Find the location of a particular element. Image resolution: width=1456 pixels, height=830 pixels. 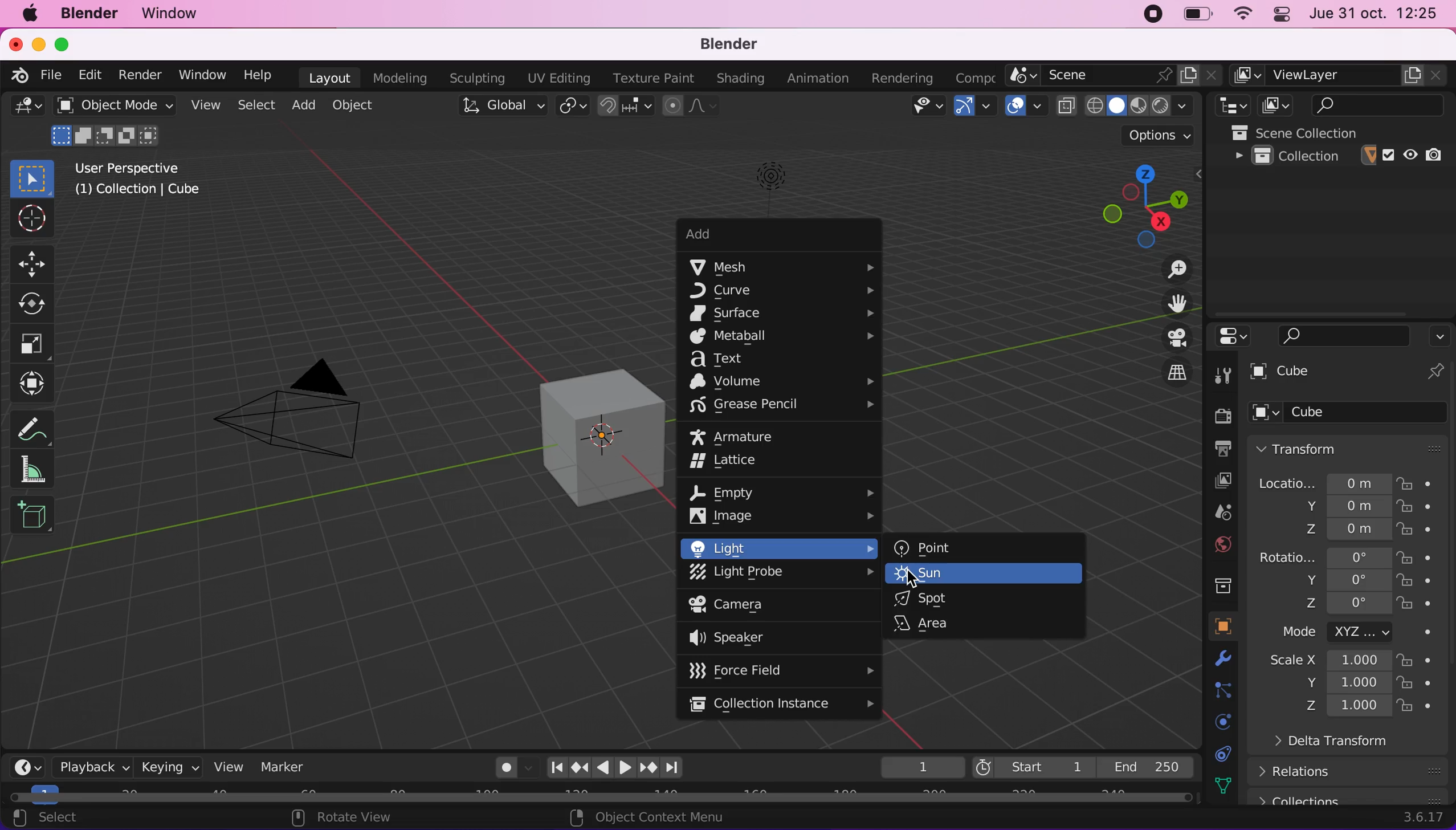

recording stopped is located at coordinates (1153, 14).